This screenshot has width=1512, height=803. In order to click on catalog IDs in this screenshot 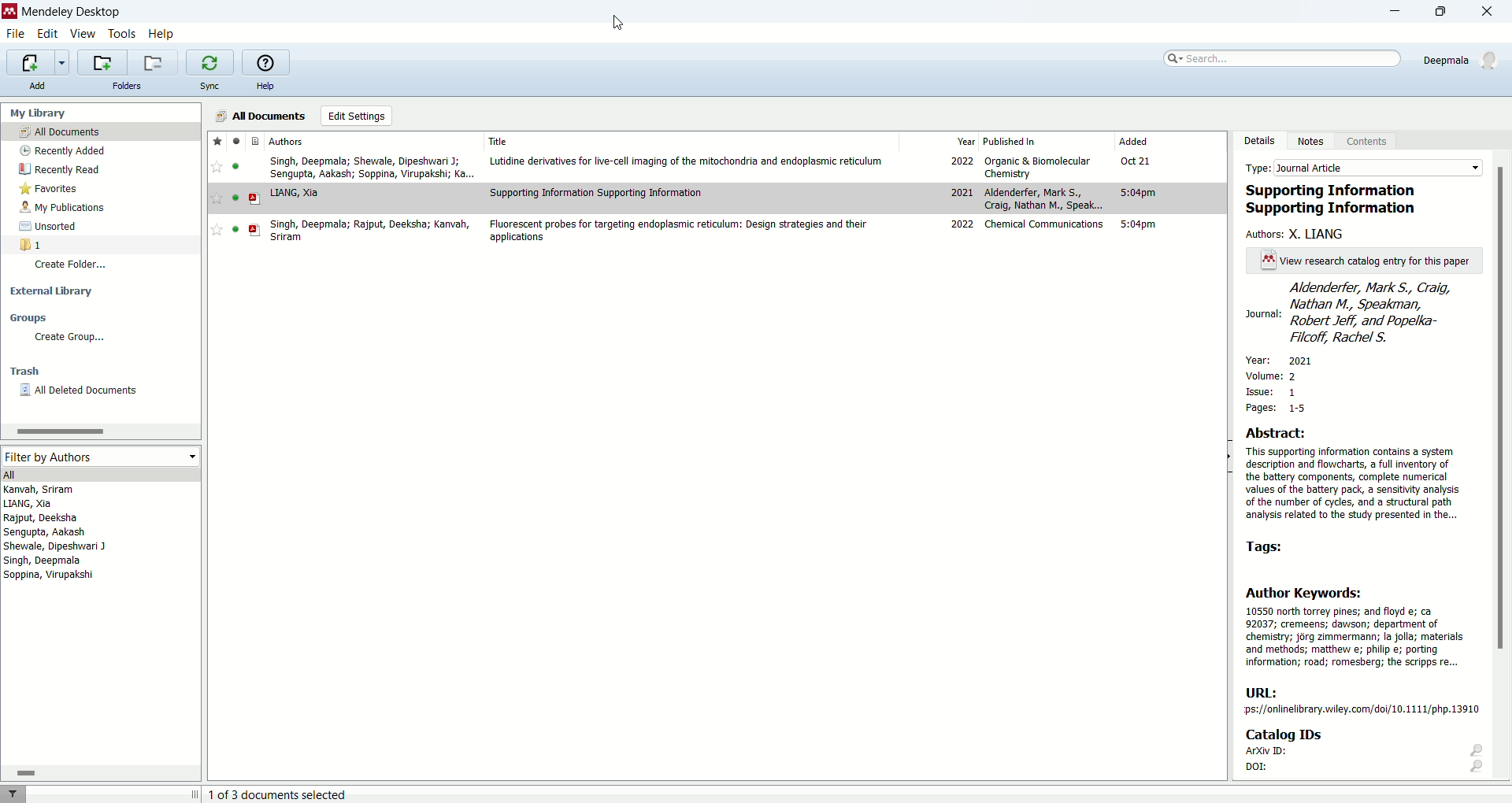, I will do `click(1298, 735)`.